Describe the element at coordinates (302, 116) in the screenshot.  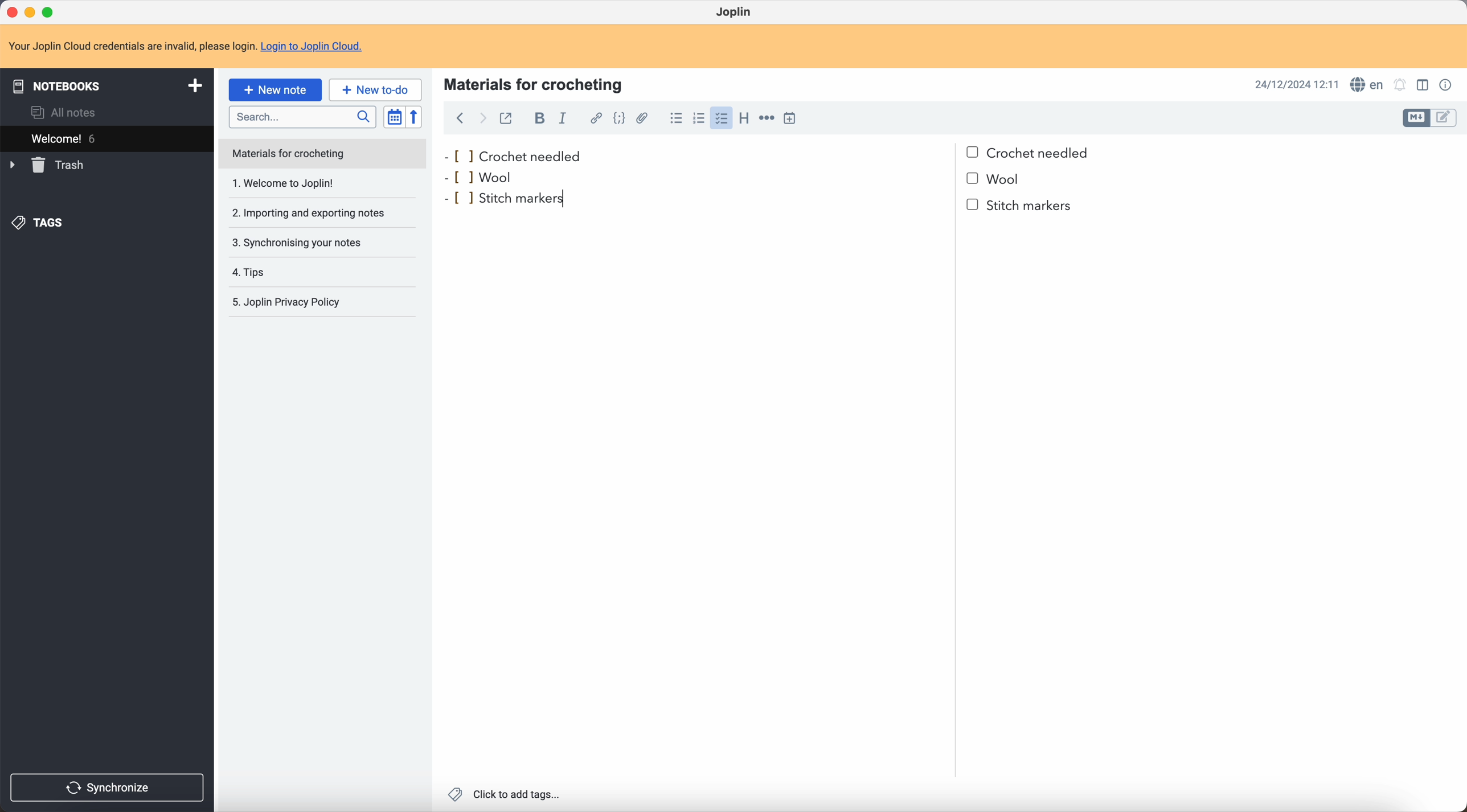
I see `search bar` at that location.